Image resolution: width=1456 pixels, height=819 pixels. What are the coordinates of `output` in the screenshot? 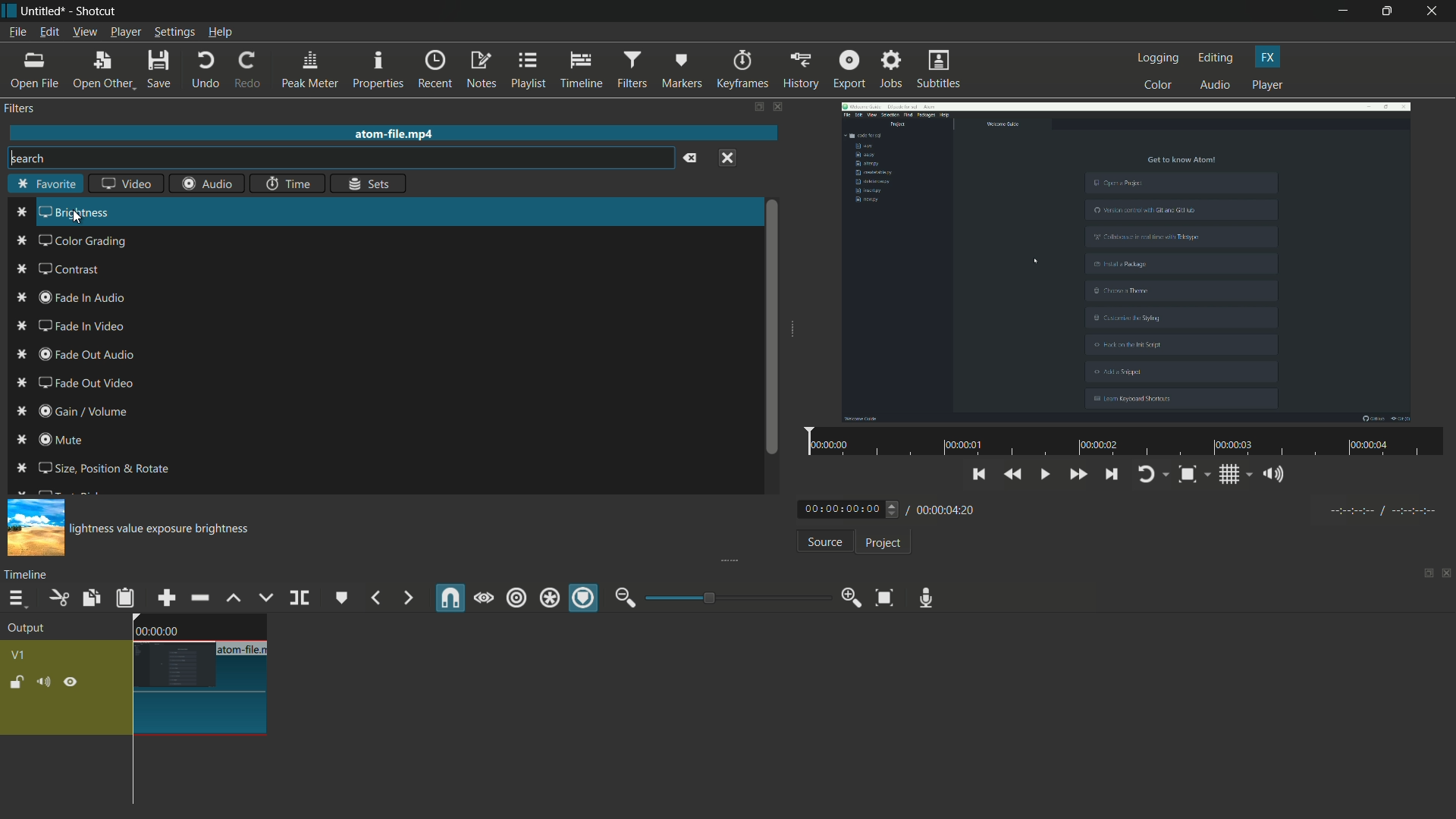 It's located at (31, 629).